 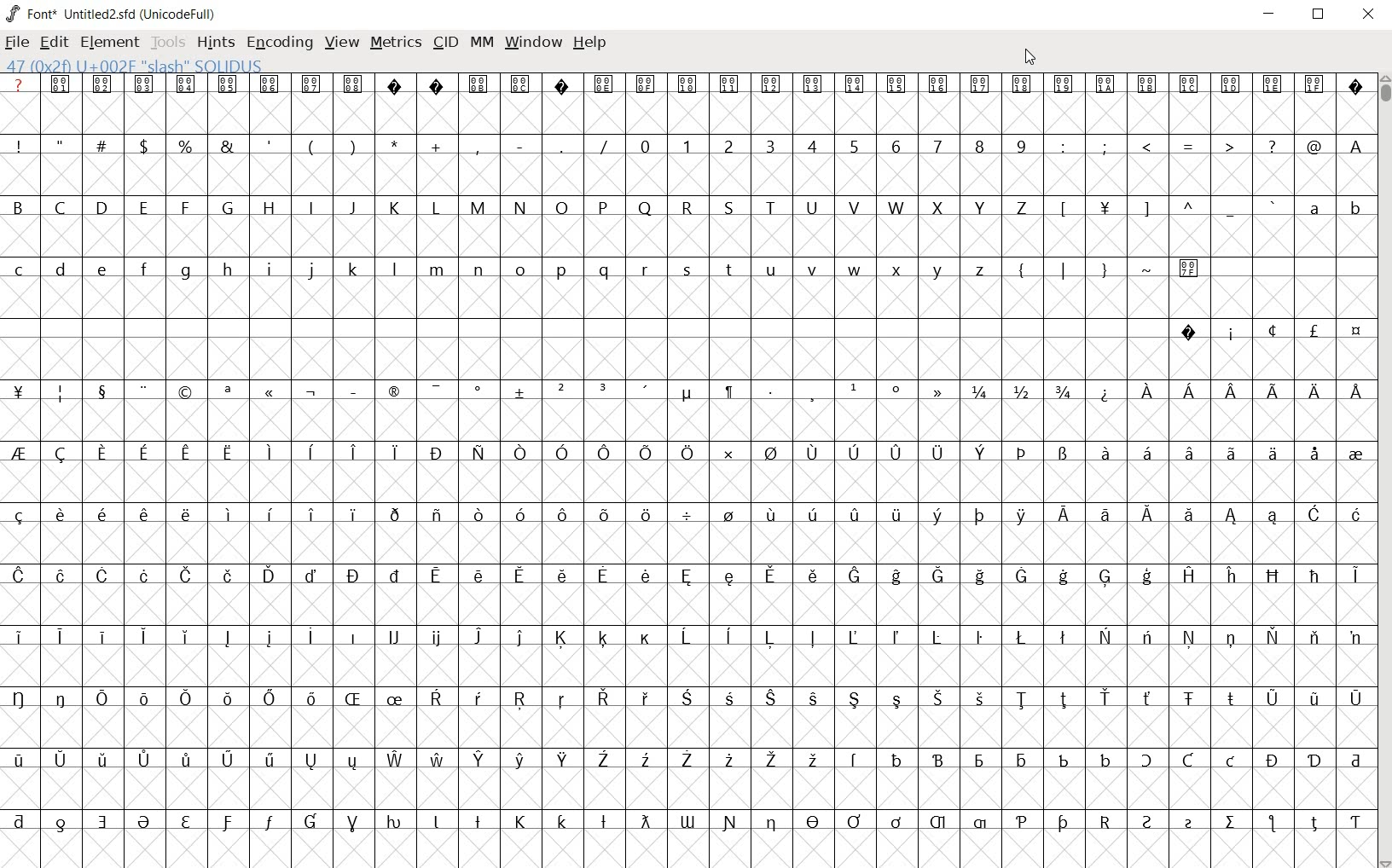 What do you see at coordinates (684, 726) in the screenshot?
I see `empty cells` at bounding box center [684, 726].